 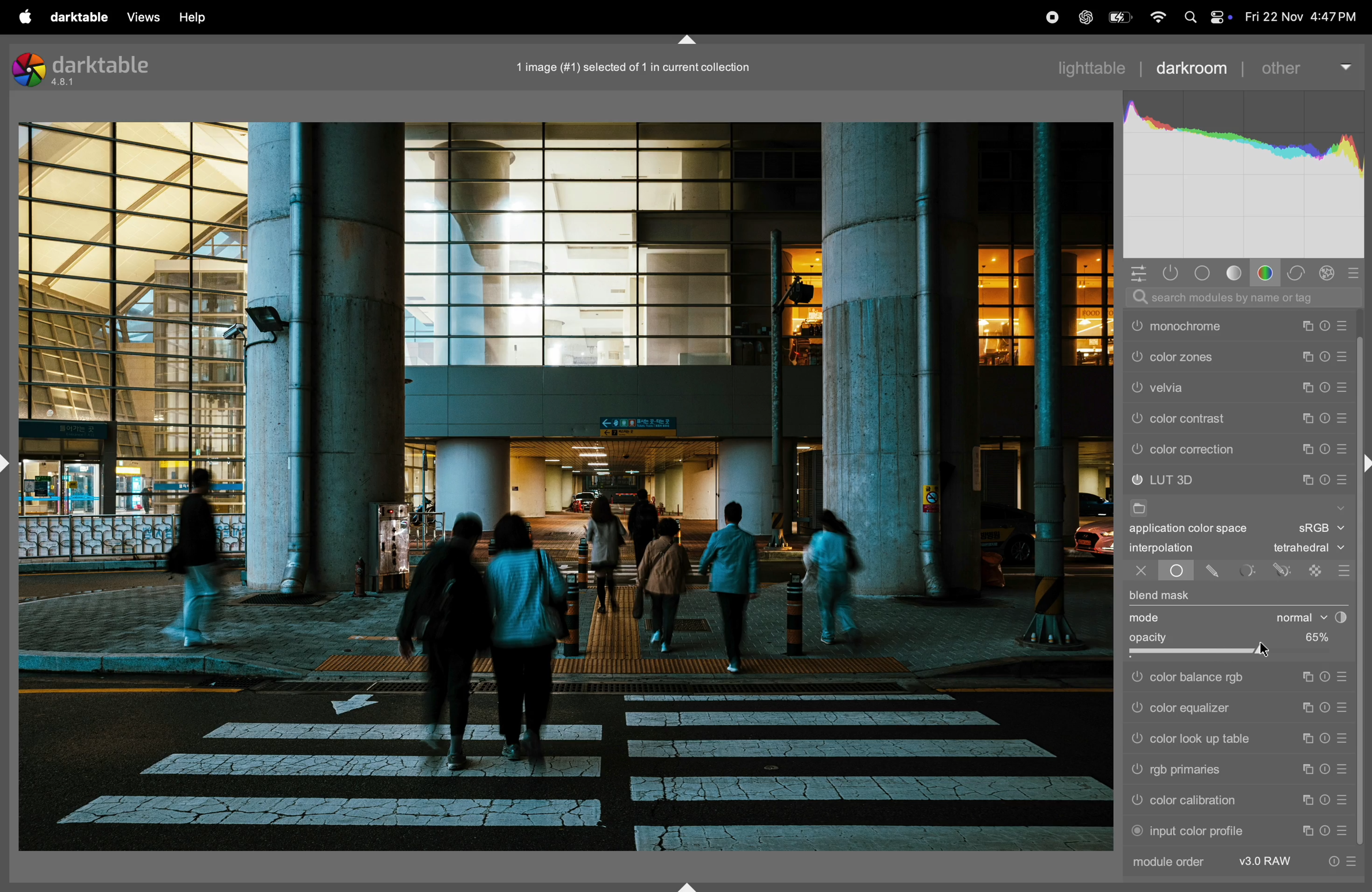 What do you see at coordinates (1117, 19) in the screenshot?
I see `battery` at bounding box center [1117, 19].